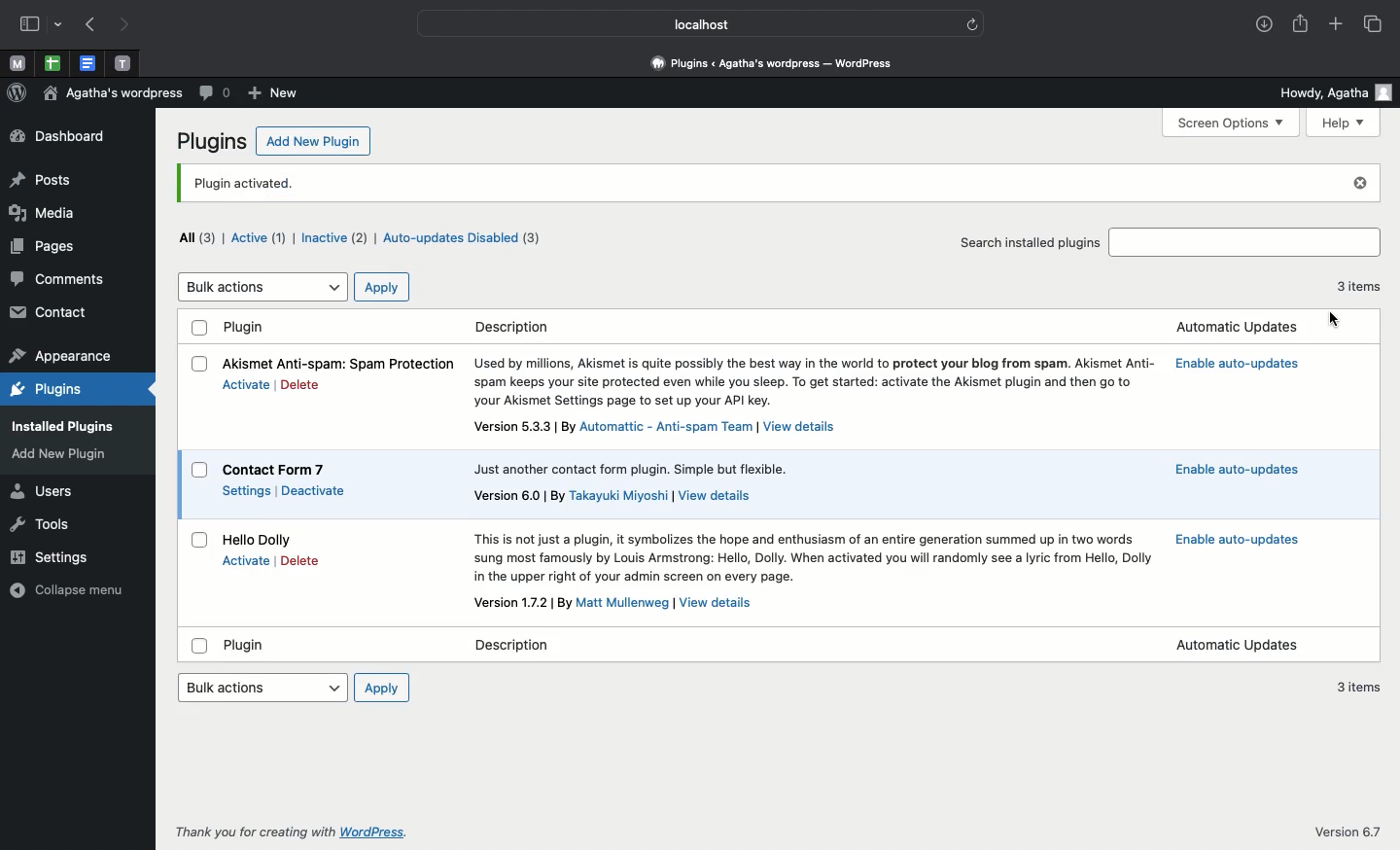 This screenshot has width=1400, height=850. I want to click on thank you for creating with Wordpress, so click(285, 832).